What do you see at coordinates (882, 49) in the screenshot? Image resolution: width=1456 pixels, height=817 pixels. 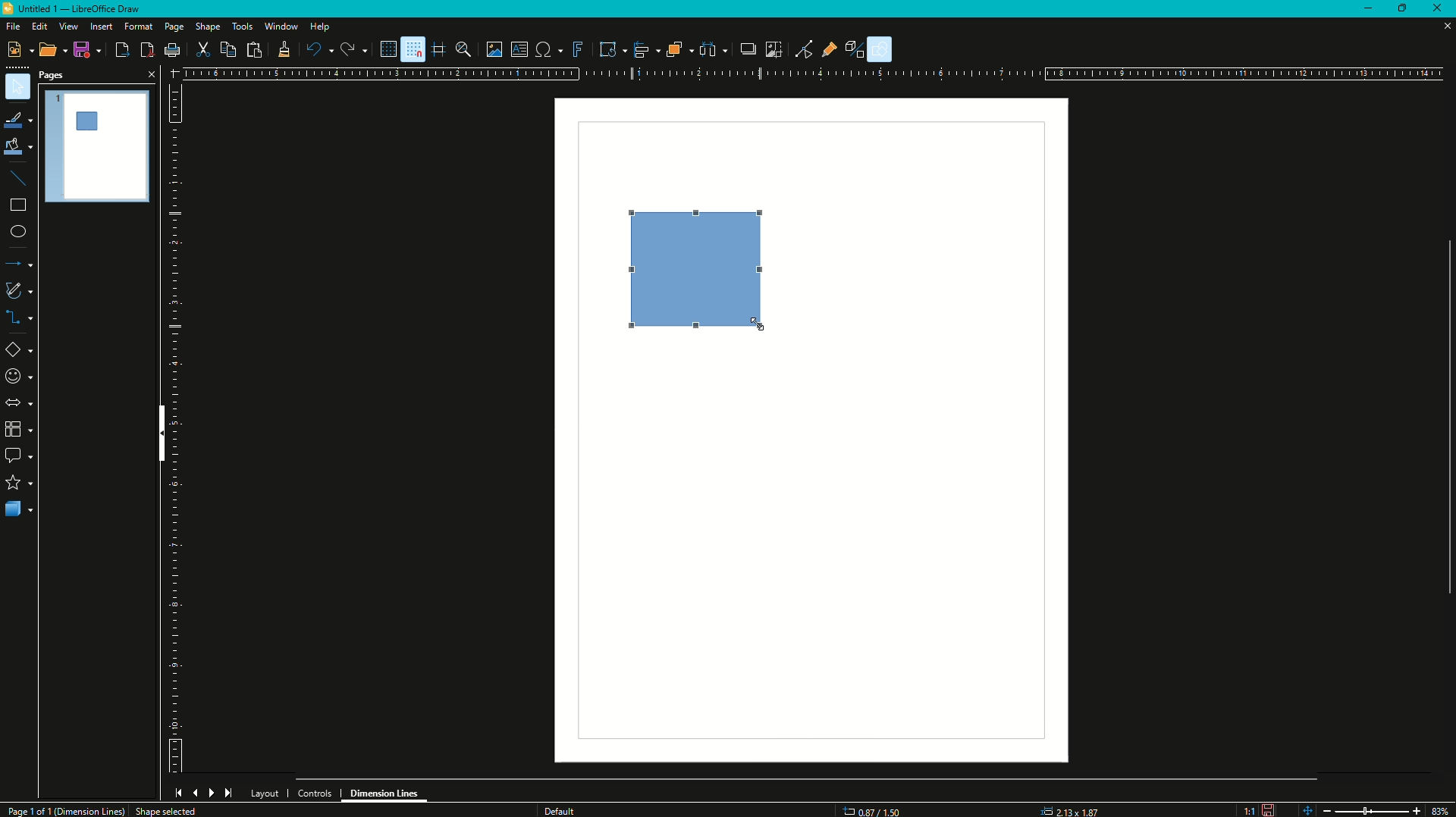 I see `Show Draw Functions` at bounding box center [882, 49].